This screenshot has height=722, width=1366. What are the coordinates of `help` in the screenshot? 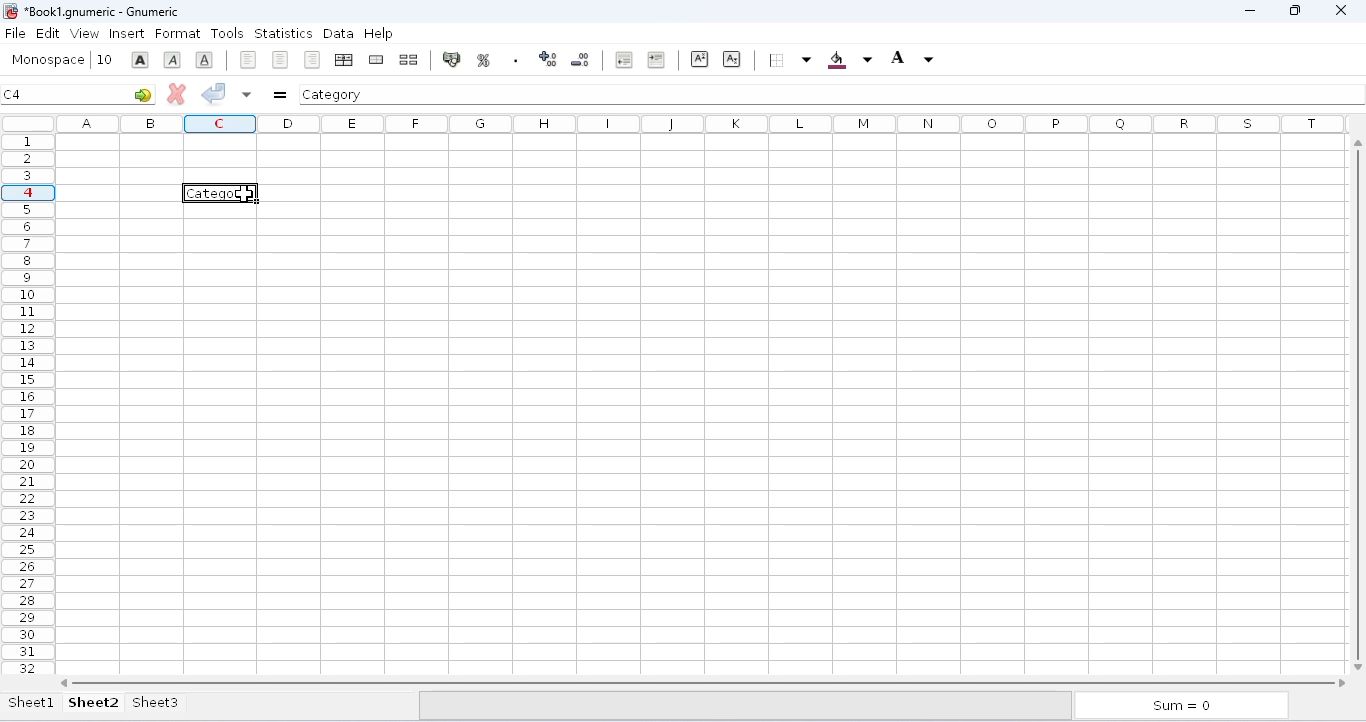 It's located at (378, 32).